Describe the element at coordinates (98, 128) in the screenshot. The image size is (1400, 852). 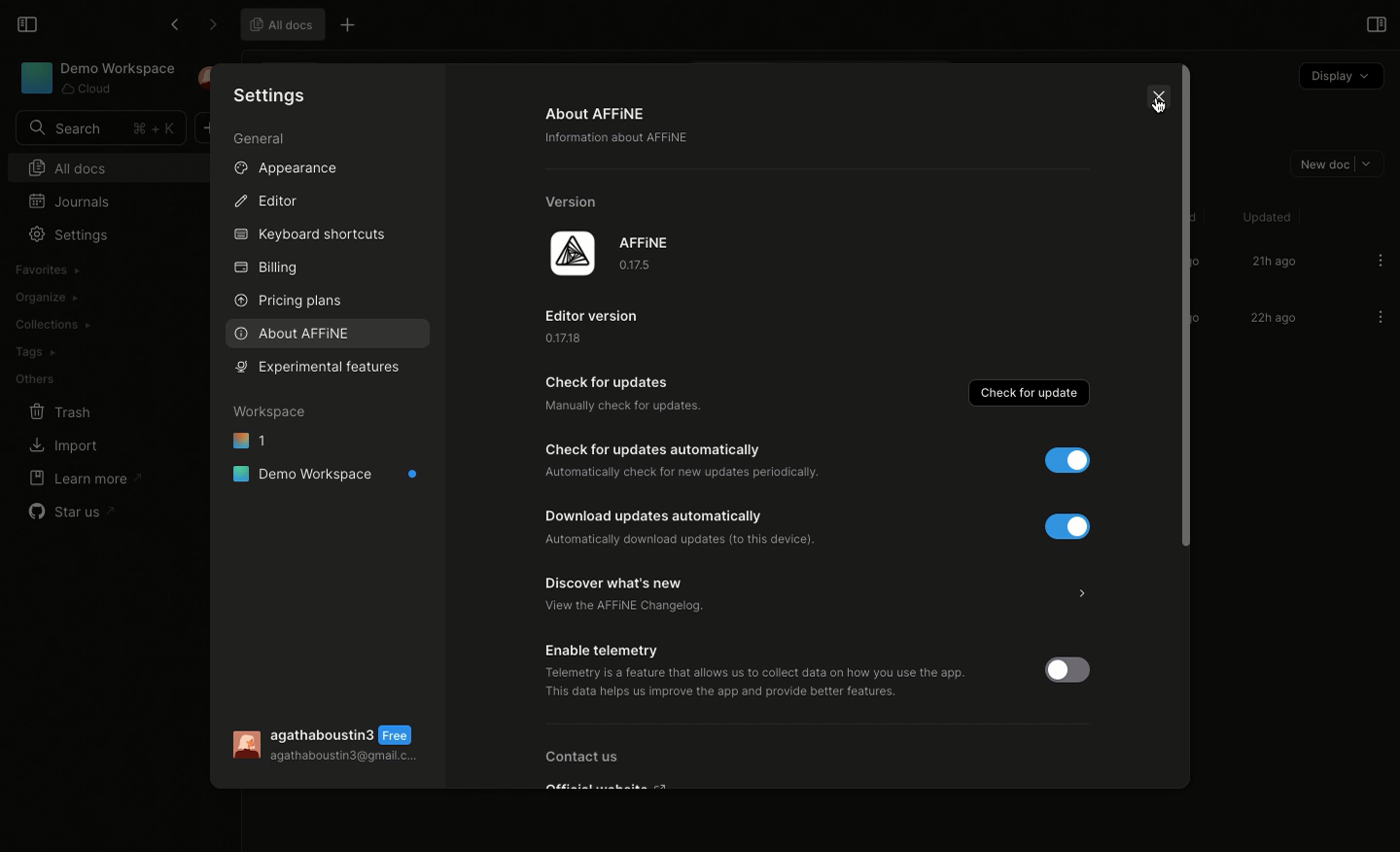
I see `Search bar` at that location.